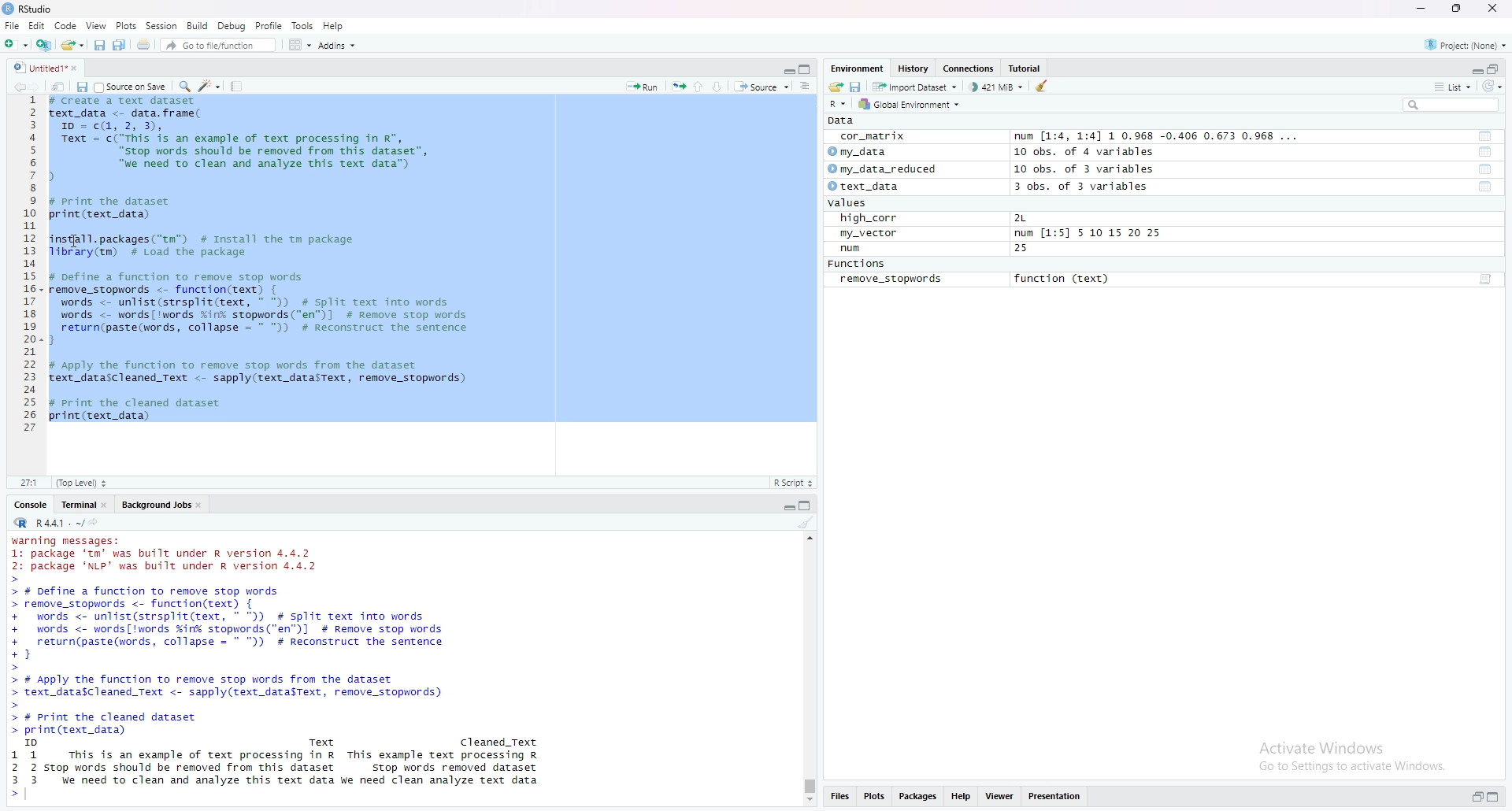  What do you see at coordinates (31, 266) in the screenshot?
I see `line numbers` at bounding box center [31, 266].